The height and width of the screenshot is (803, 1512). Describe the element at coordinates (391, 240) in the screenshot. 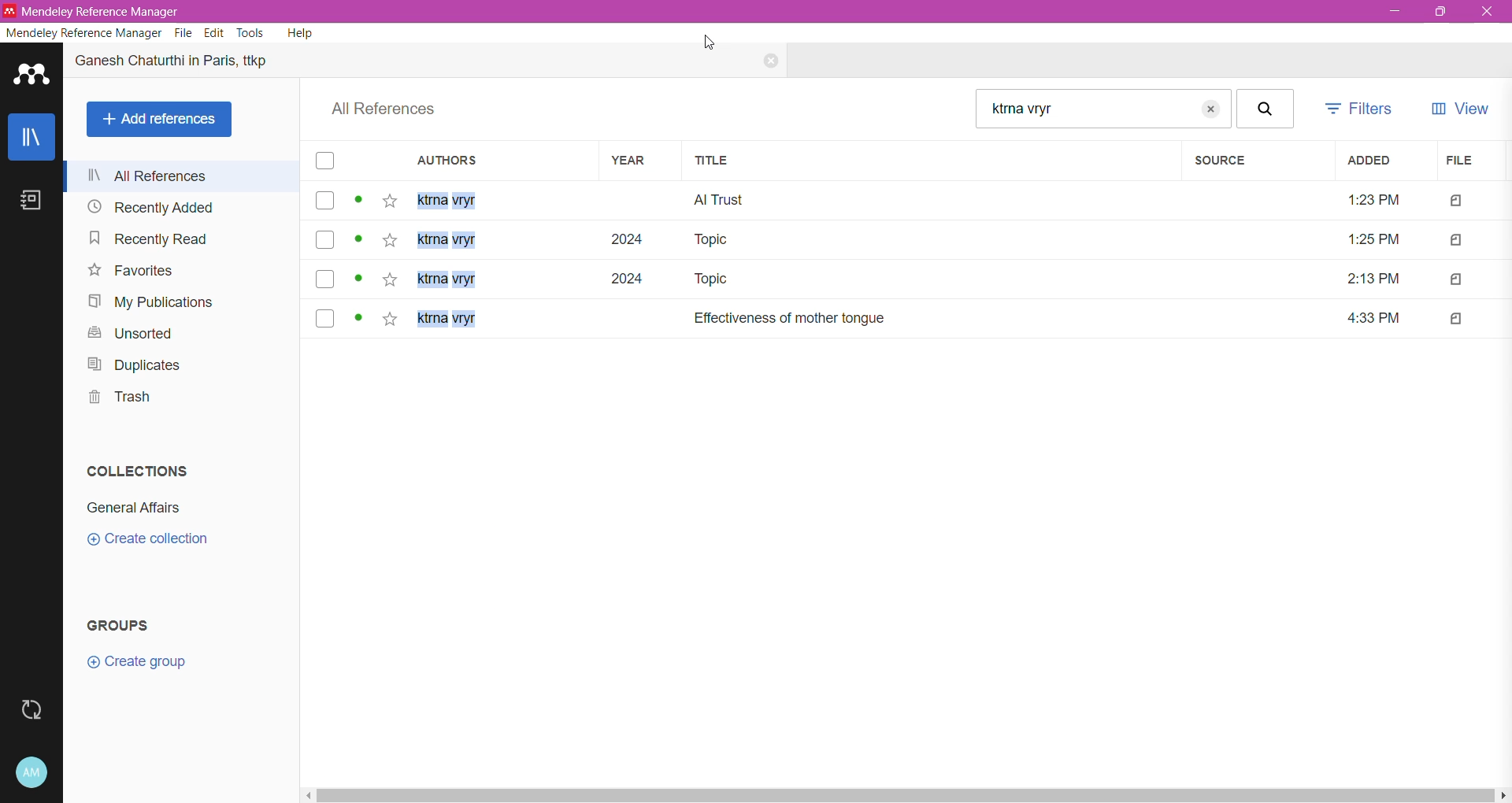

I see `add to favorites` at that location.